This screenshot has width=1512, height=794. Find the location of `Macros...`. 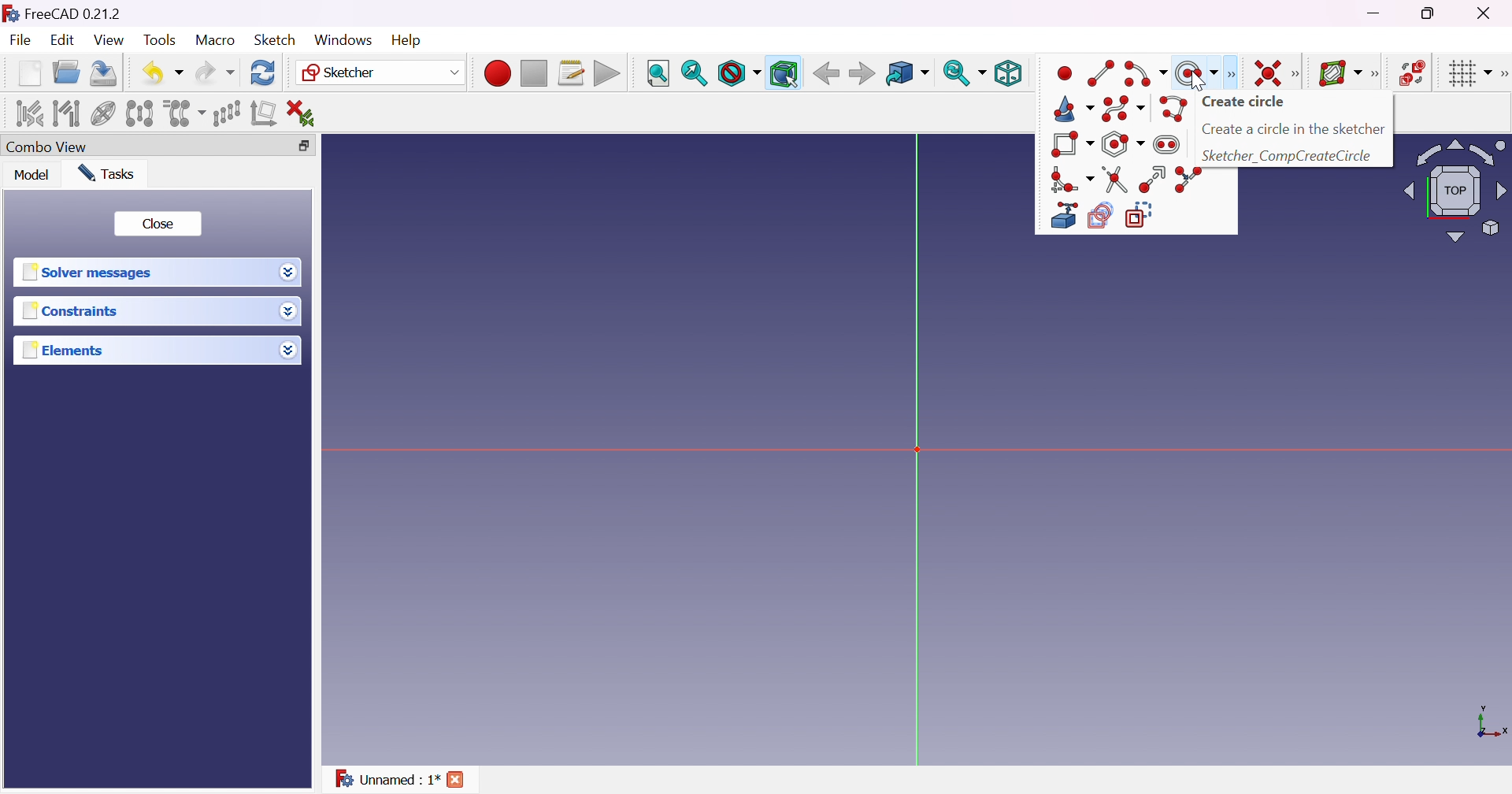

Macros... is located at coordinates (572, 72).